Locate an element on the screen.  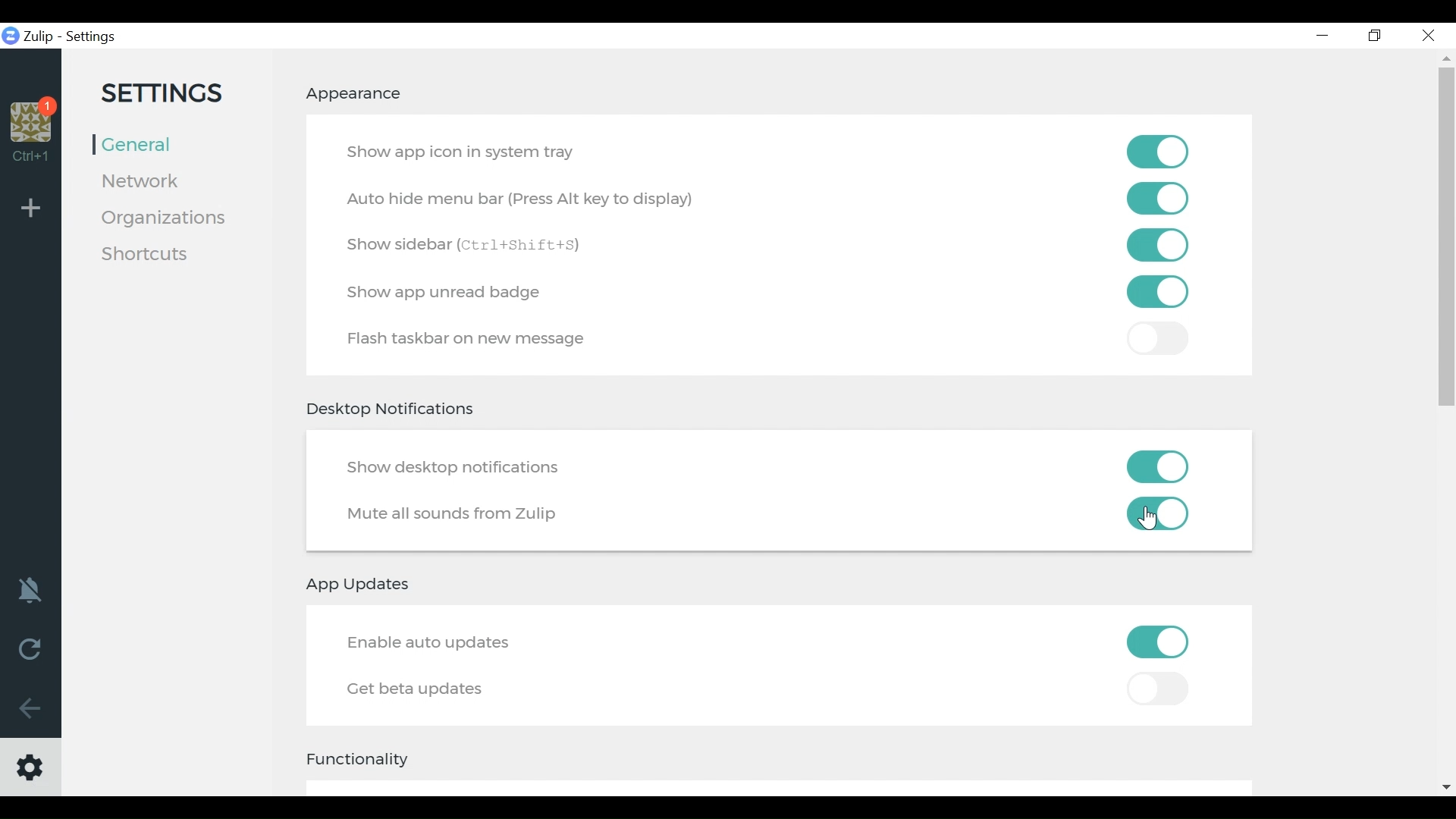
Toggle on/off show app on system tray is located at coordinates (1159, 151).